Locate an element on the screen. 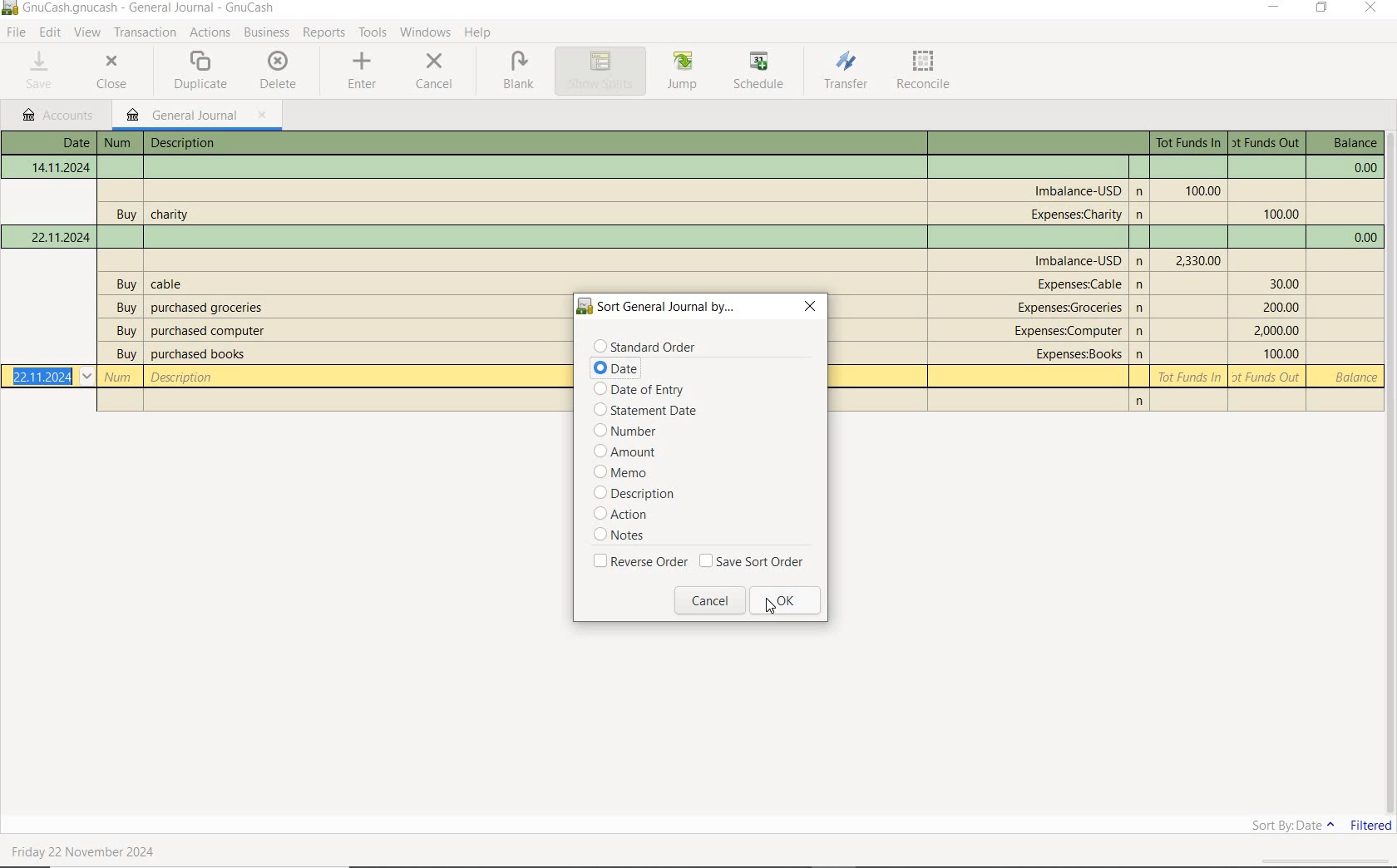 Image resolution: width=1397 pixels, height=868 pixels. DUPLICATE is located at coordinates (201, 70).